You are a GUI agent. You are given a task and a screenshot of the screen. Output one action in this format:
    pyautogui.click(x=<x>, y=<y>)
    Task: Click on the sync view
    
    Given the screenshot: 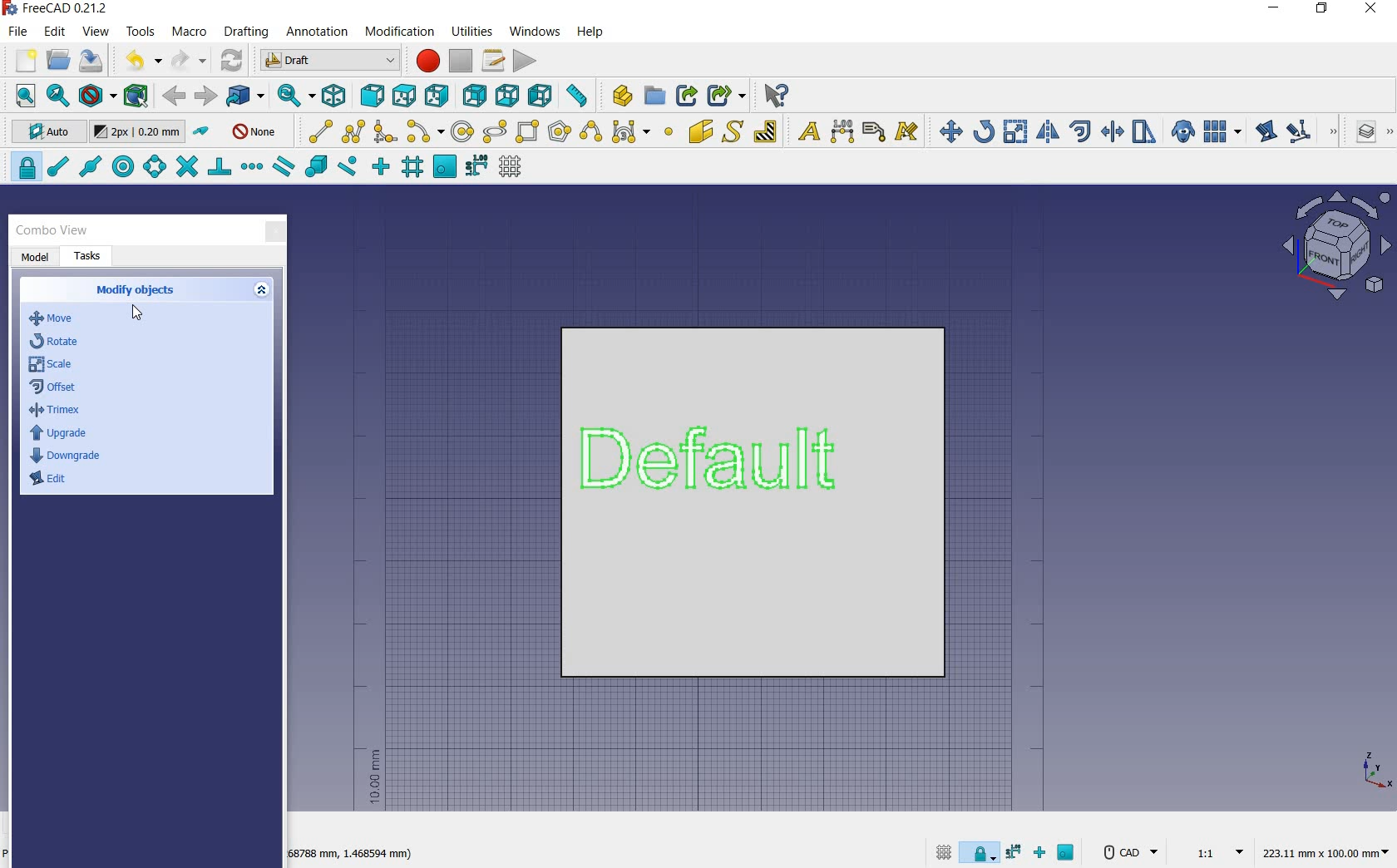 What is the action you would take?
    pyautogui.click(x=292, y=96)
    